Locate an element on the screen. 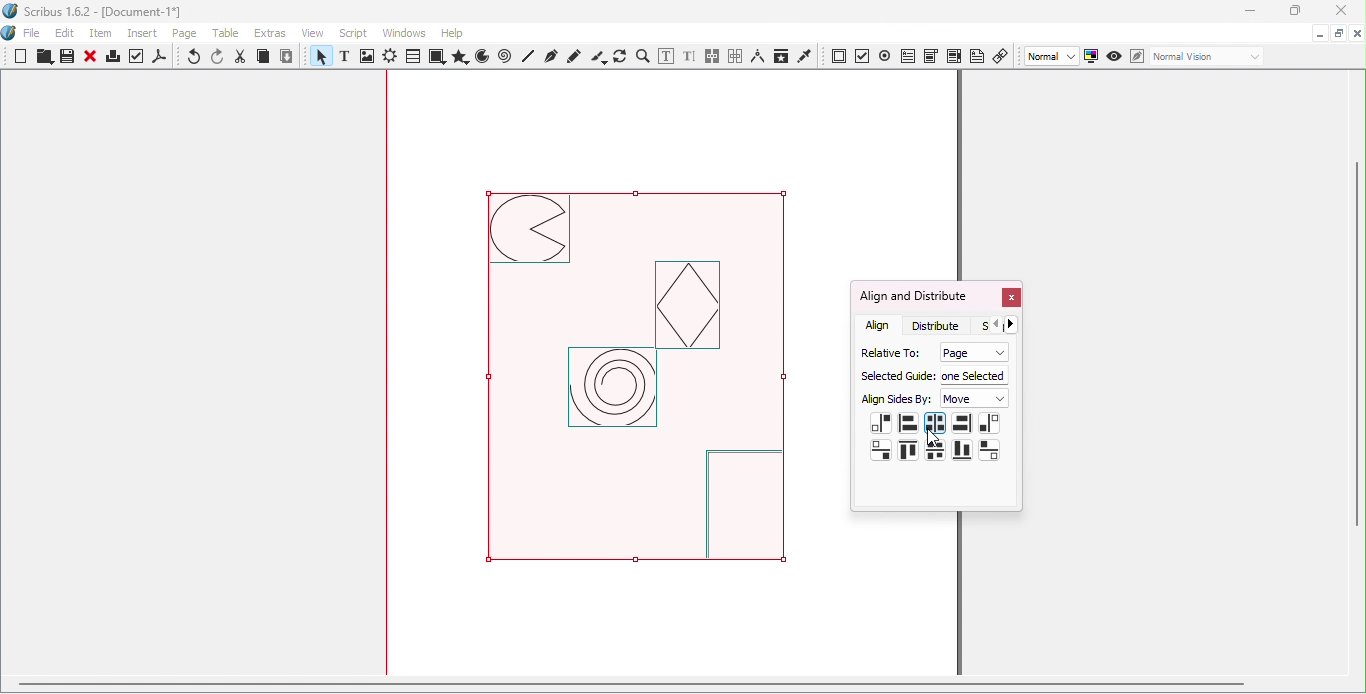  Preflight verifier is located at coordinates (137, 59).